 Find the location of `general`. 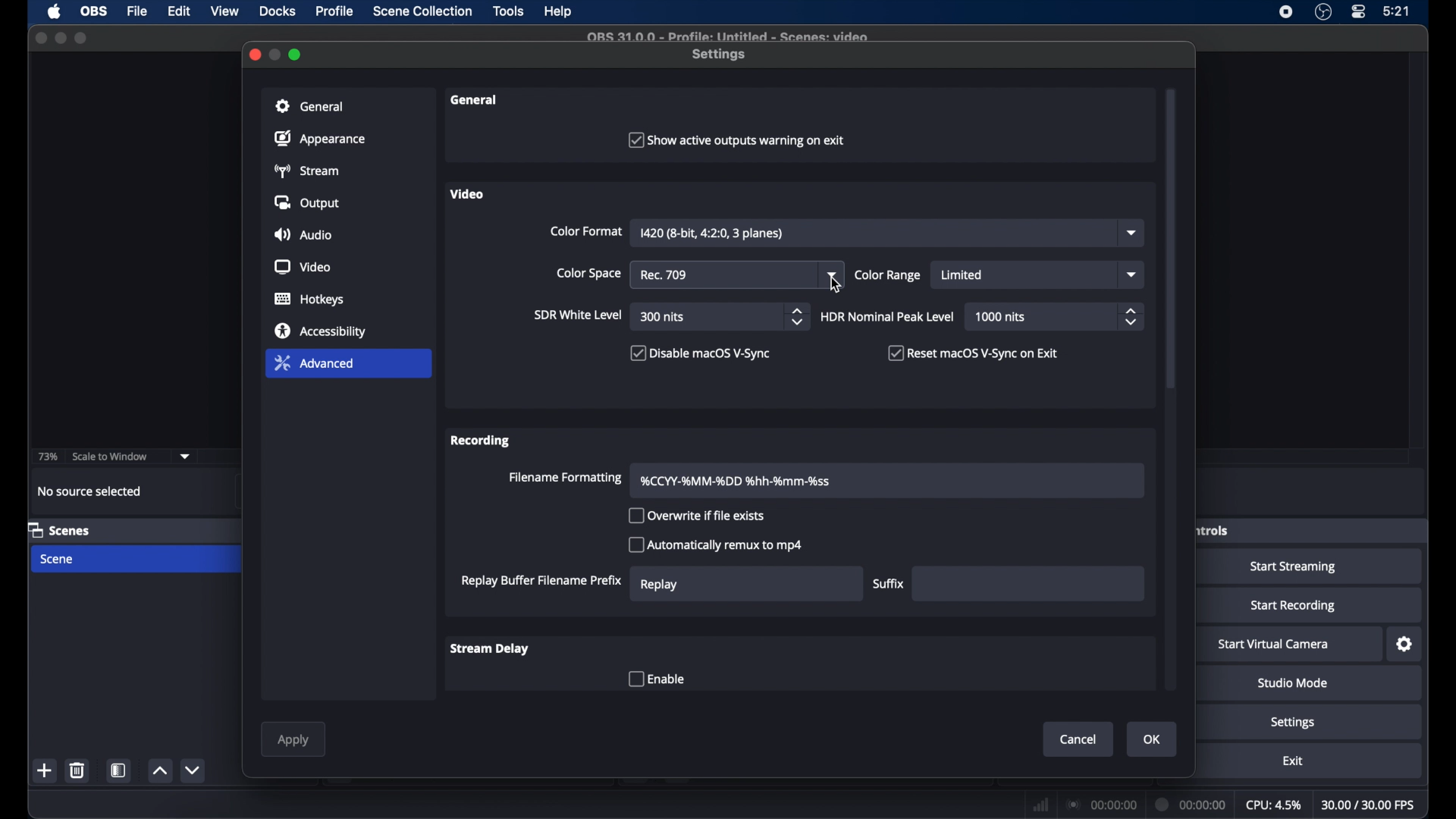

general is located at coordinates (477, 99).